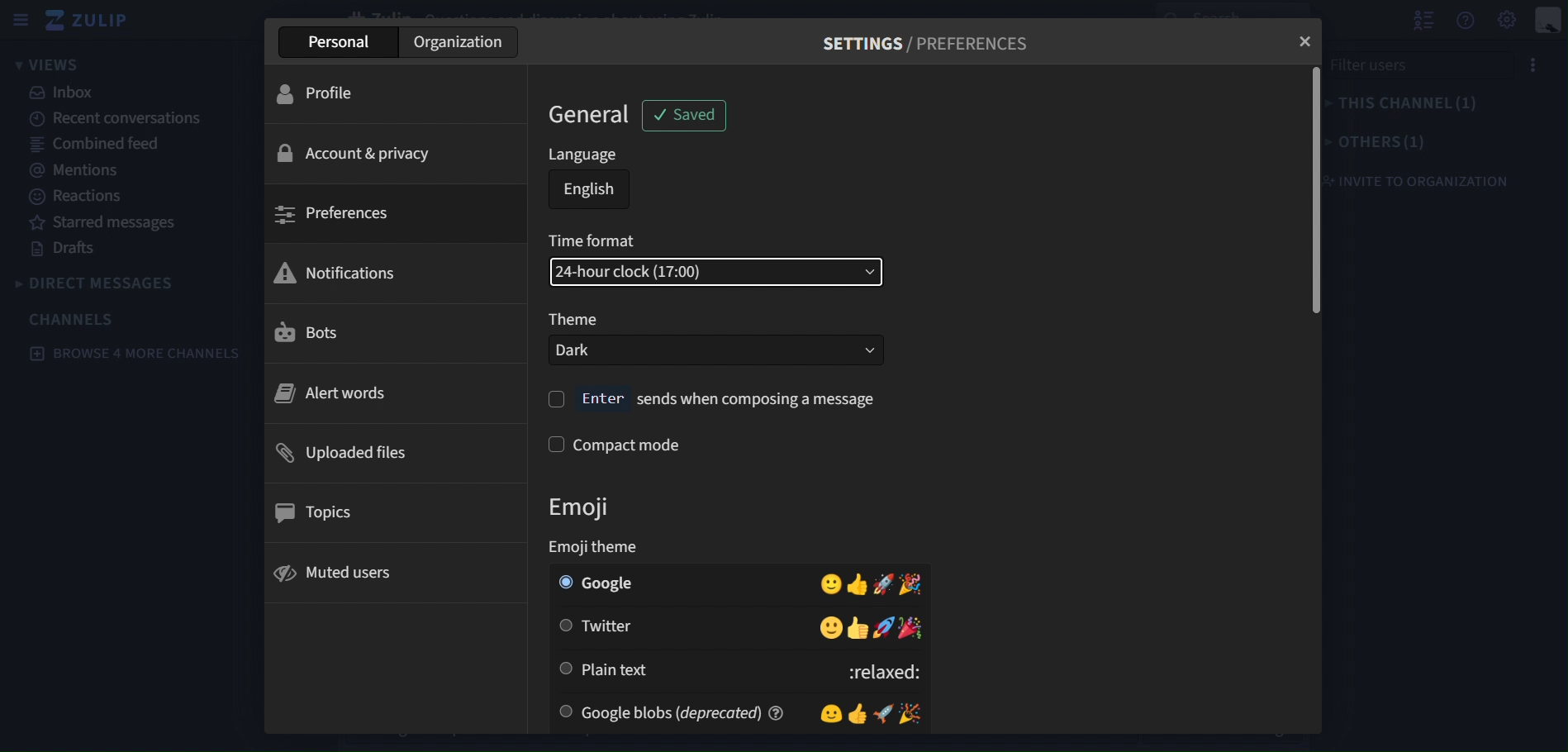 The image size is (1568, 752). I want to click on starred messages, so click(111, 224).